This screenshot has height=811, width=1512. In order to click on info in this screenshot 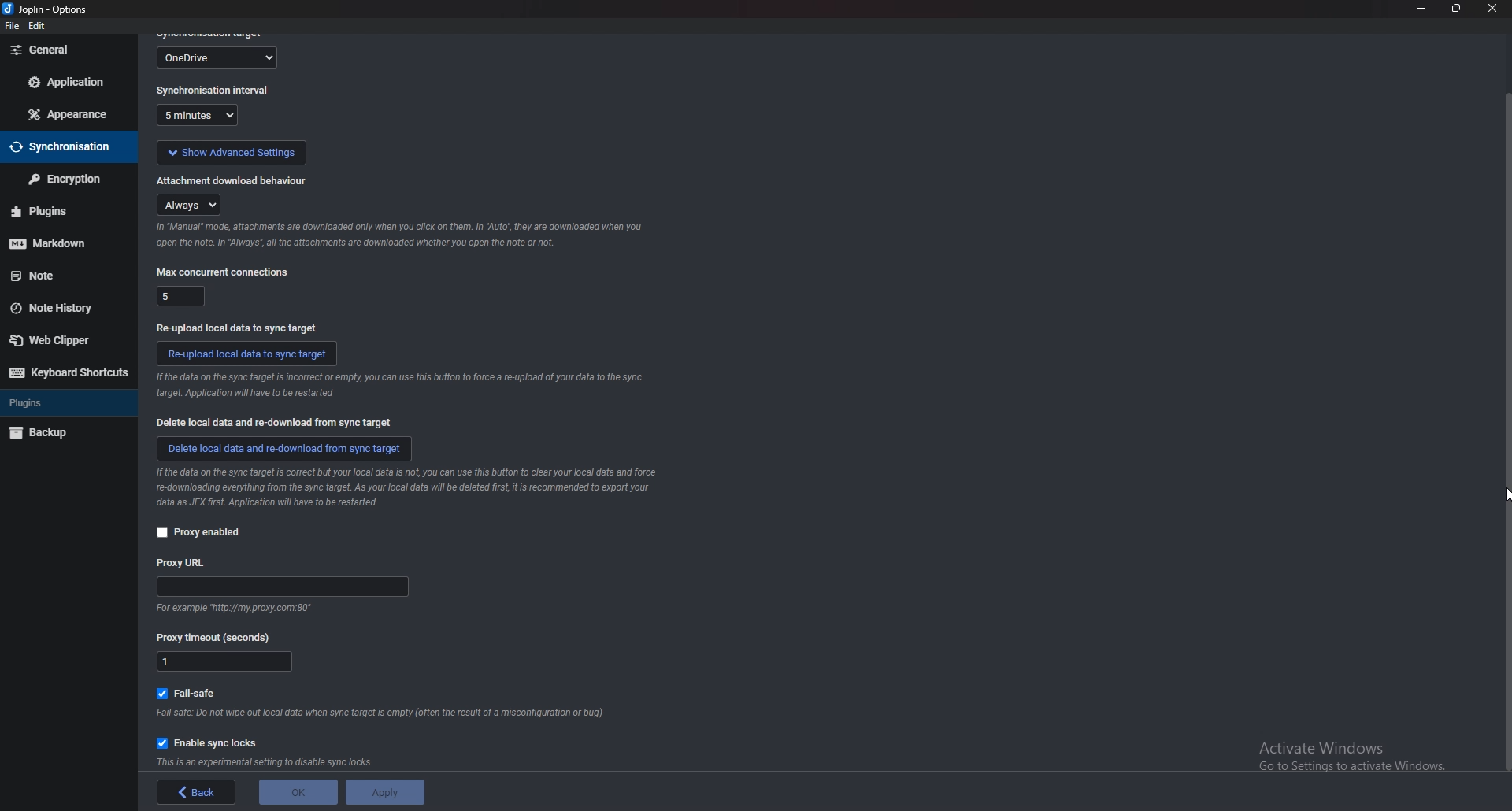, I will do `click(397, 387)`.